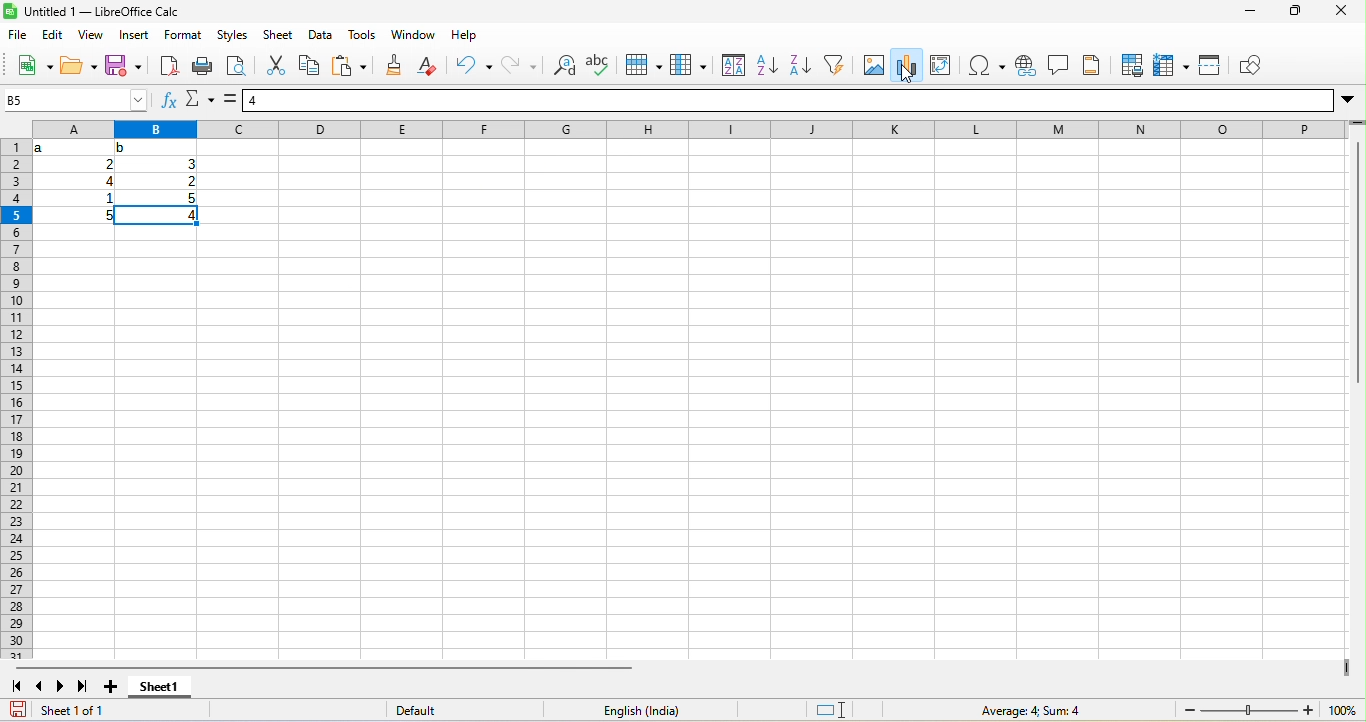 Image resolution: width=1366 pixels, height=722 pixels. I want to click on image, so click(874, 64).